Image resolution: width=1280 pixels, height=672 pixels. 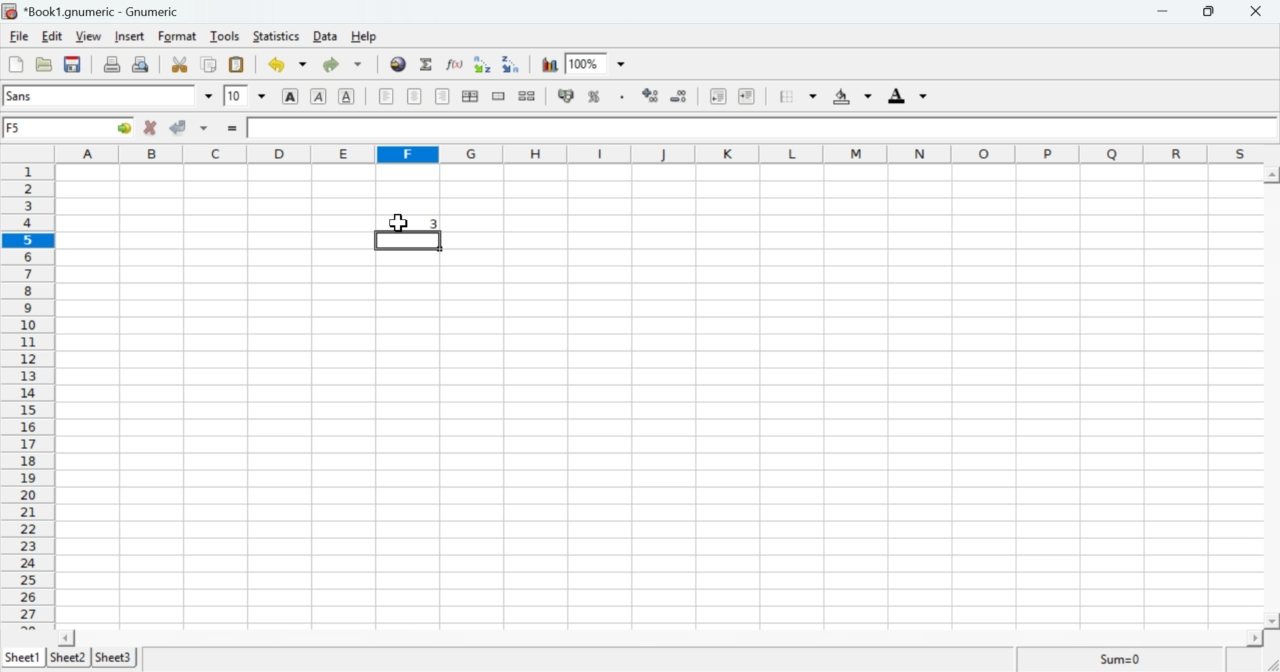 What do you see at coordinates (21, 36) in the screenshot?
I see `File` at bounding box center [21, 36].